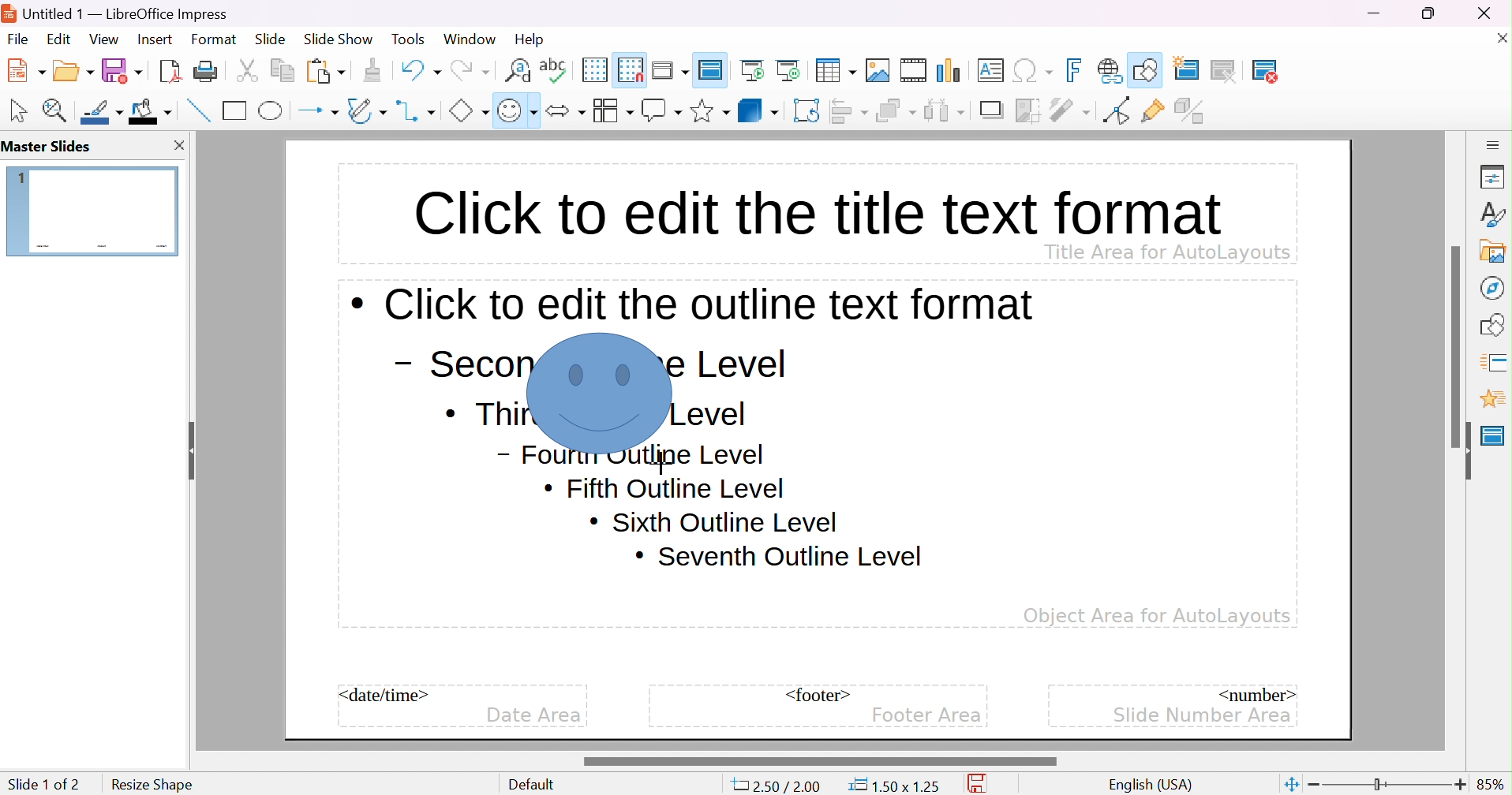  Describe the element at coordinates (419, 68) in the screenshot. I see `undo` at that location.